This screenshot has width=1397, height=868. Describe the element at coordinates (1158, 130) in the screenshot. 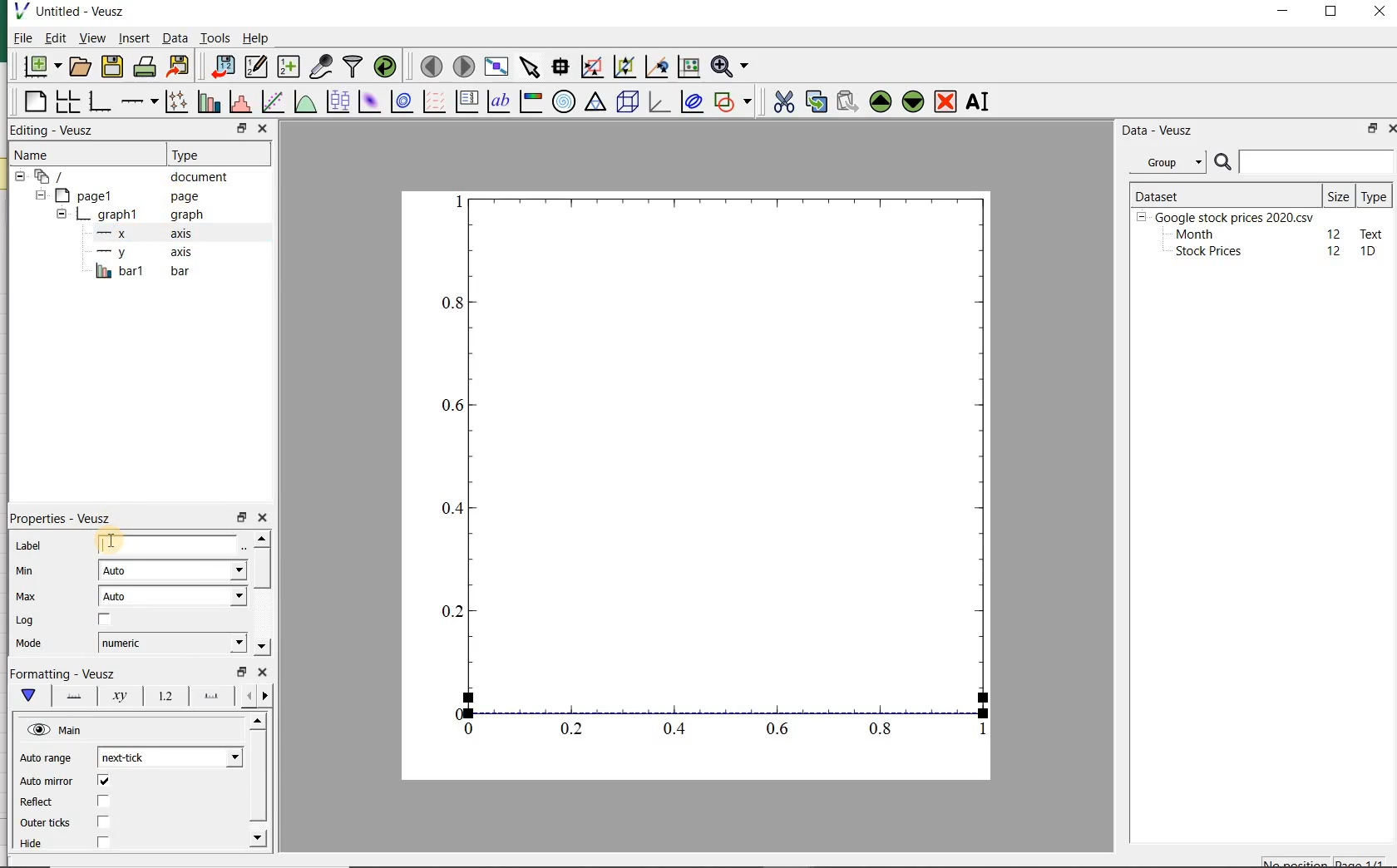

I see `Data - Veusz` at that location.